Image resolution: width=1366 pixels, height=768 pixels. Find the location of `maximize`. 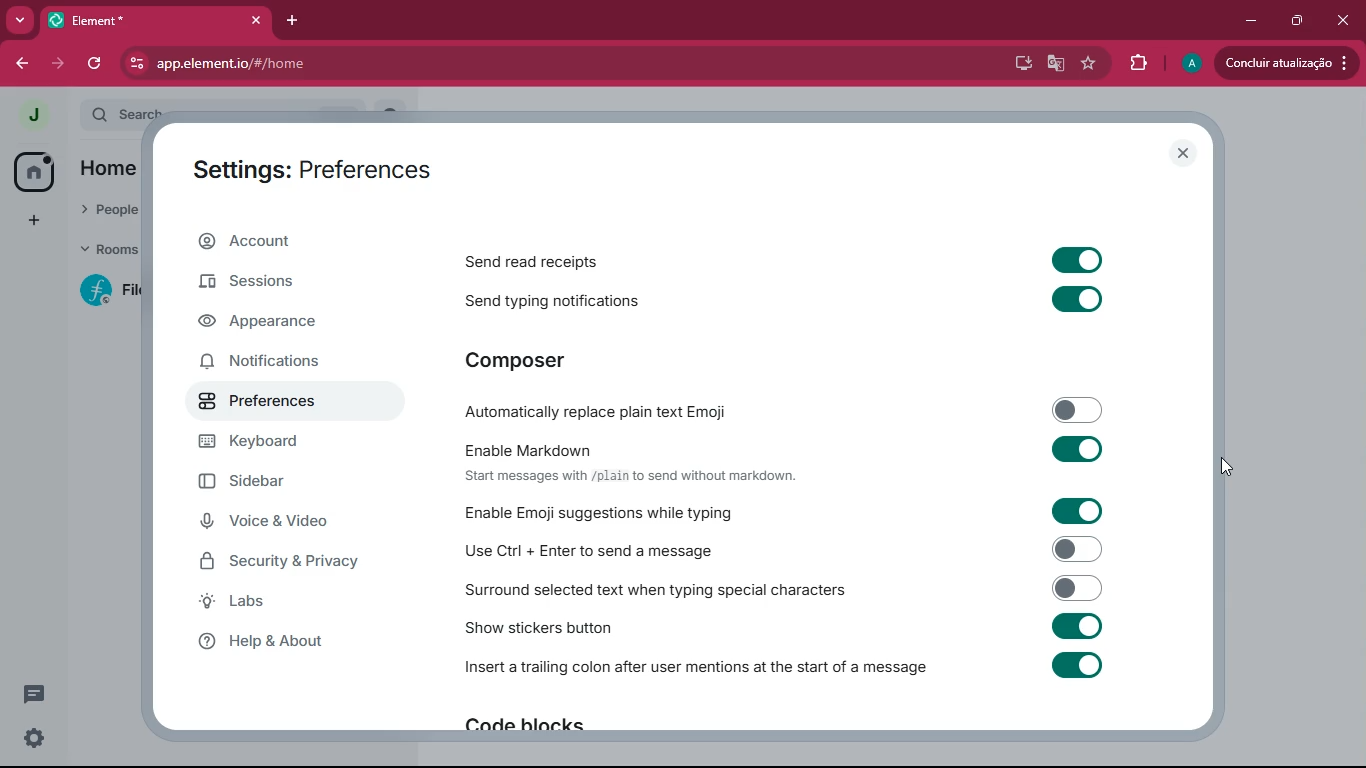

maximize is located at coordinates (1295, 19).